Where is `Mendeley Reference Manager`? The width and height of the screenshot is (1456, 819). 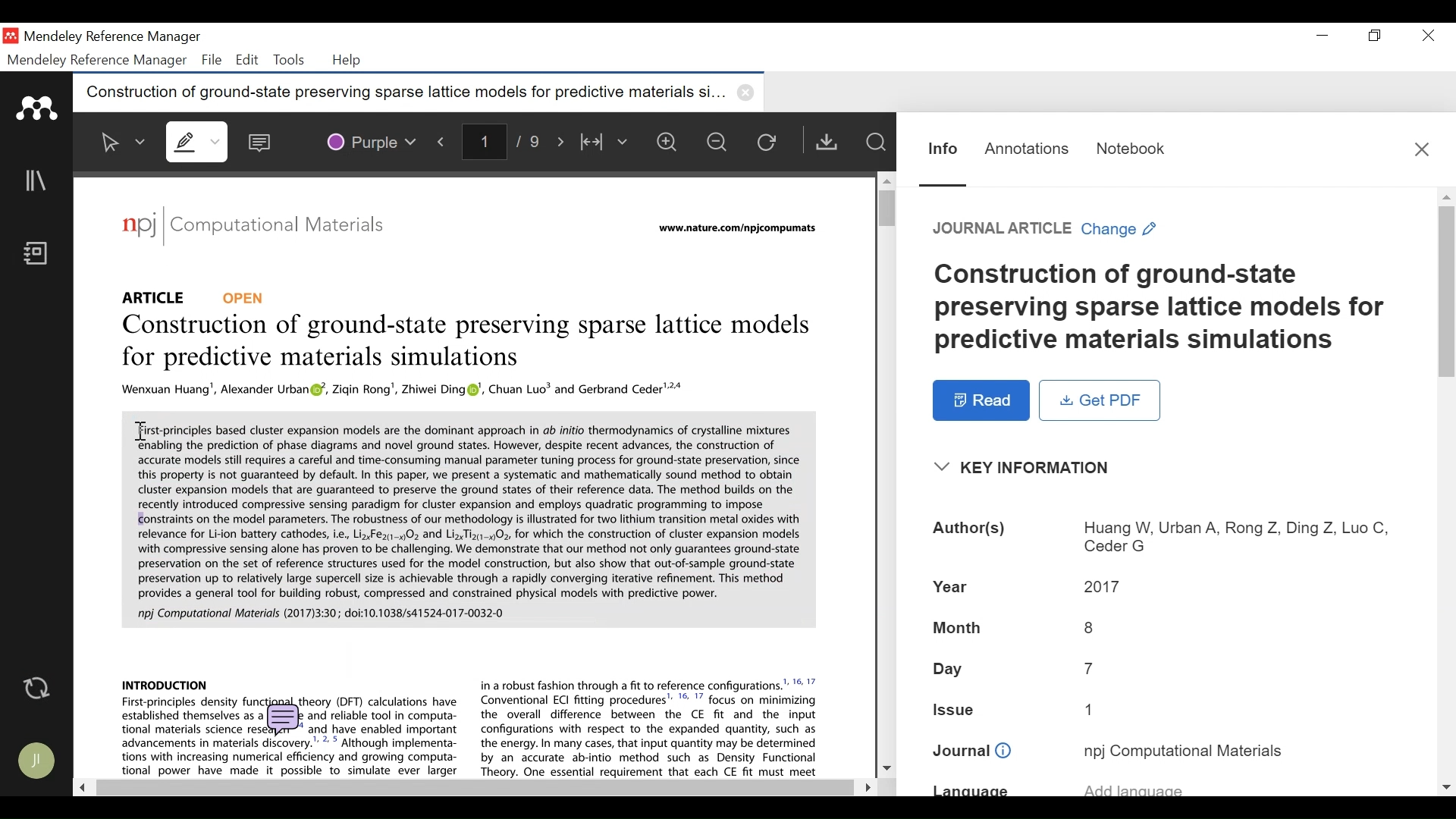 Mendeley Reference Manager is located at coordinates (111, 39).